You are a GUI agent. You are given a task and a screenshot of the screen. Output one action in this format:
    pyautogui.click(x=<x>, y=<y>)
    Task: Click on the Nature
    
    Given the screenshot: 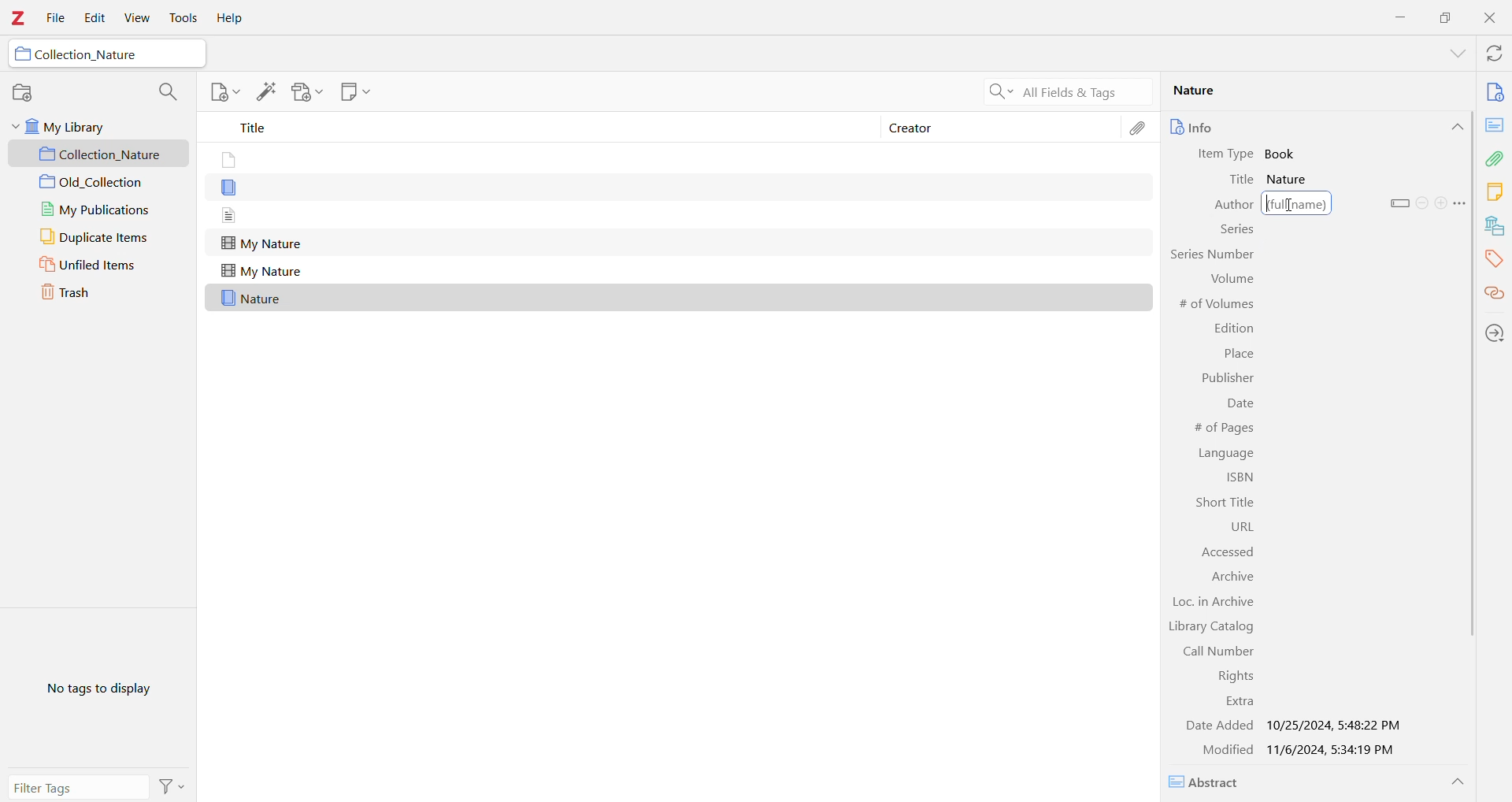 What is the action you would take?
    pyautogui.click(x=254, y=299)
    